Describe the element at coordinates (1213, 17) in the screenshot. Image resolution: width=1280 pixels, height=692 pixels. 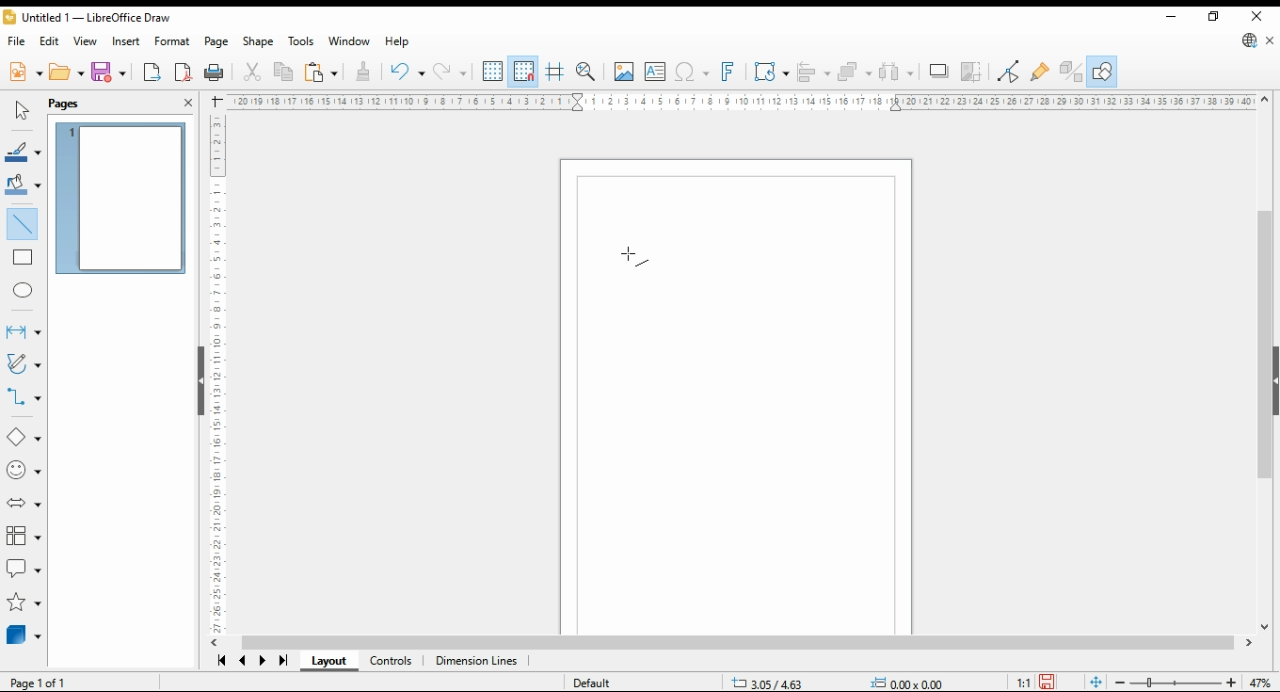
I see `restore` at that location.